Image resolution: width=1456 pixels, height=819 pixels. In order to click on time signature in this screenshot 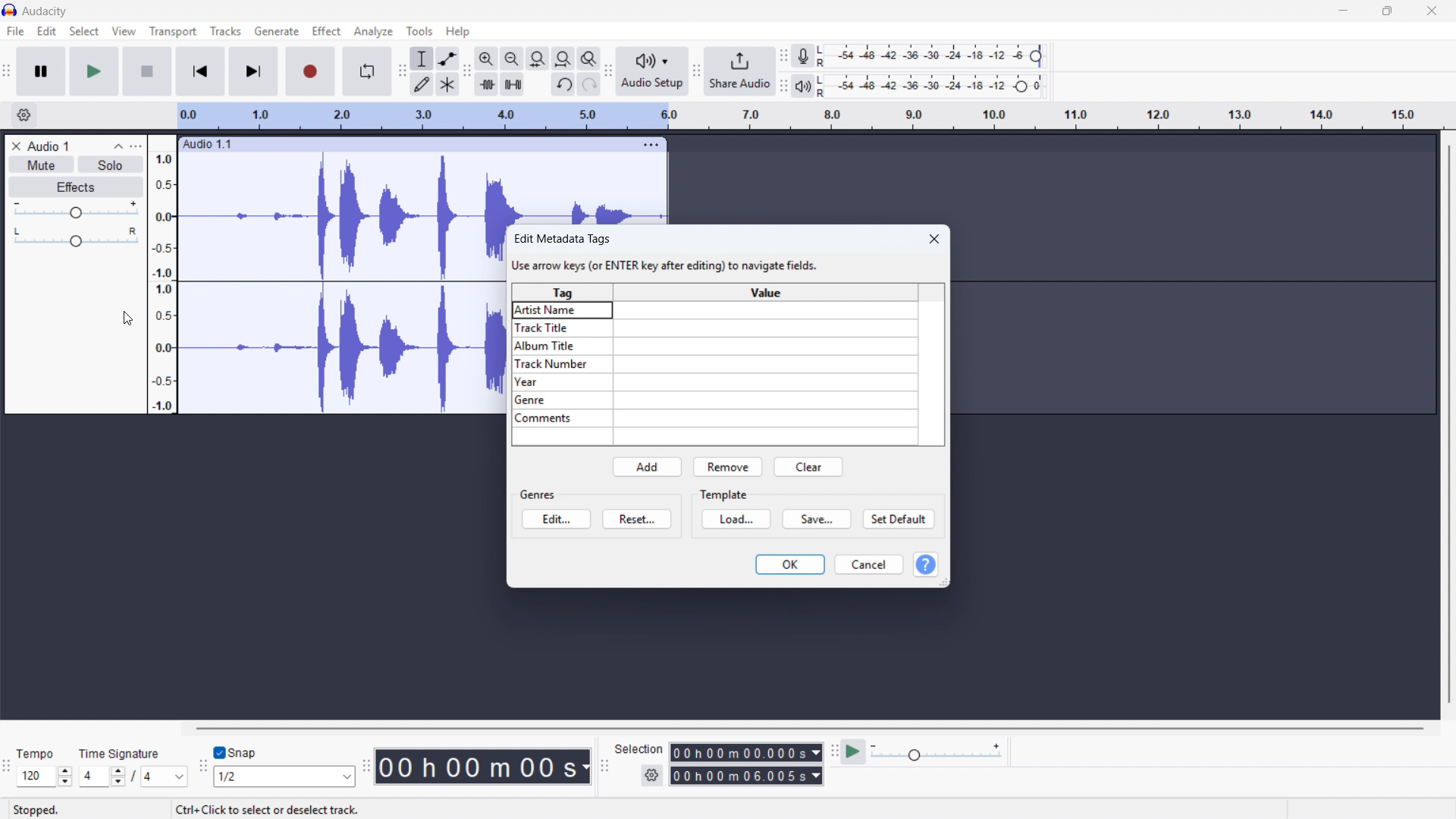, I will do `click(118, 753)`.